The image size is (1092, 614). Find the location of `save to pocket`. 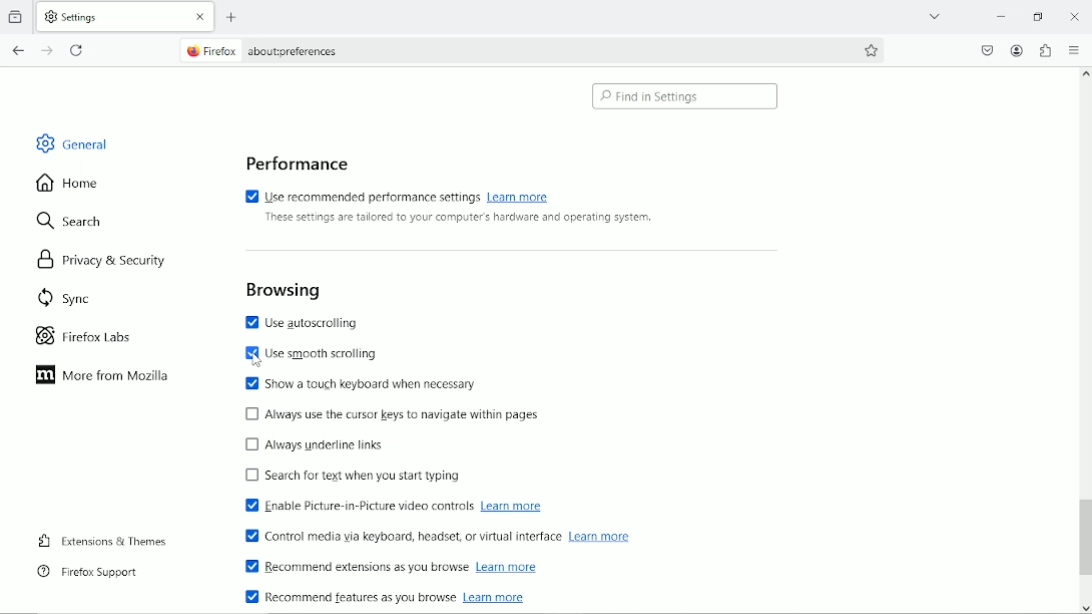

save to pocket is located at coordinates (987, 49).